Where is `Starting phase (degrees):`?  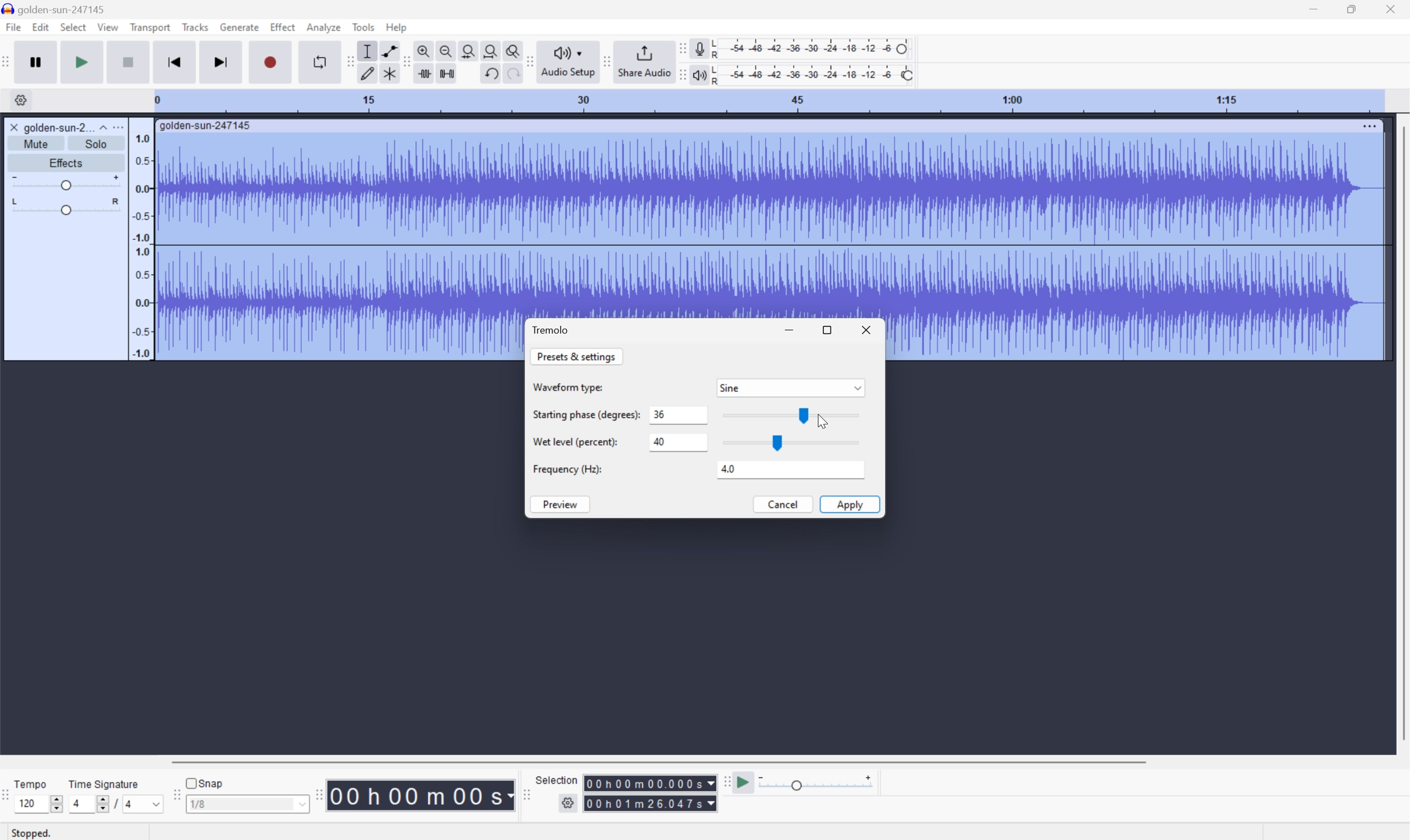 Starting phase (degrees): is located at coordinates (583, 414).